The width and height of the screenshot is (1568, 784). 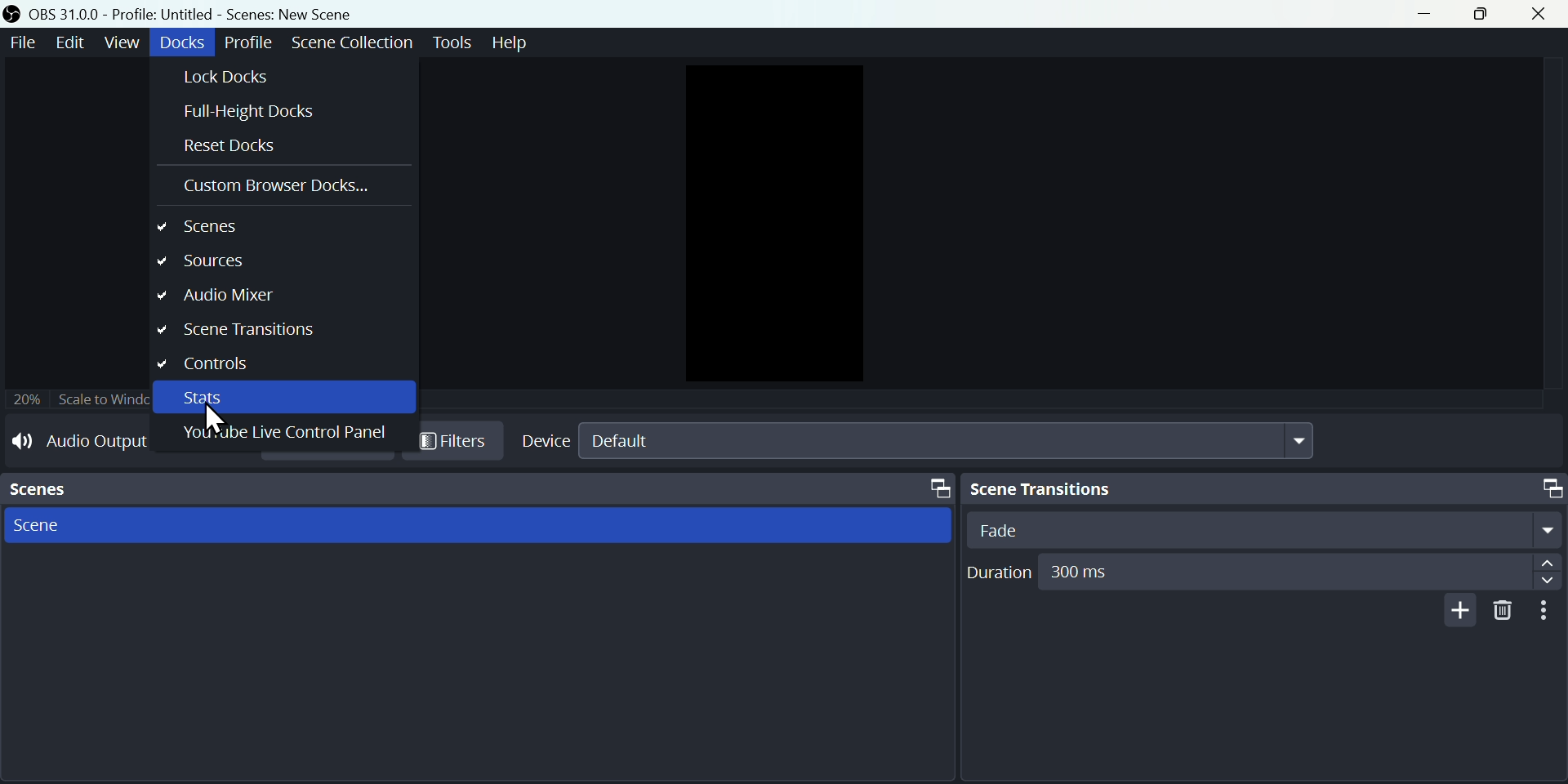 What do you see at coordinates (226, 225) in the screenshot?
I see `scenes` at bounding box center [226, 225].